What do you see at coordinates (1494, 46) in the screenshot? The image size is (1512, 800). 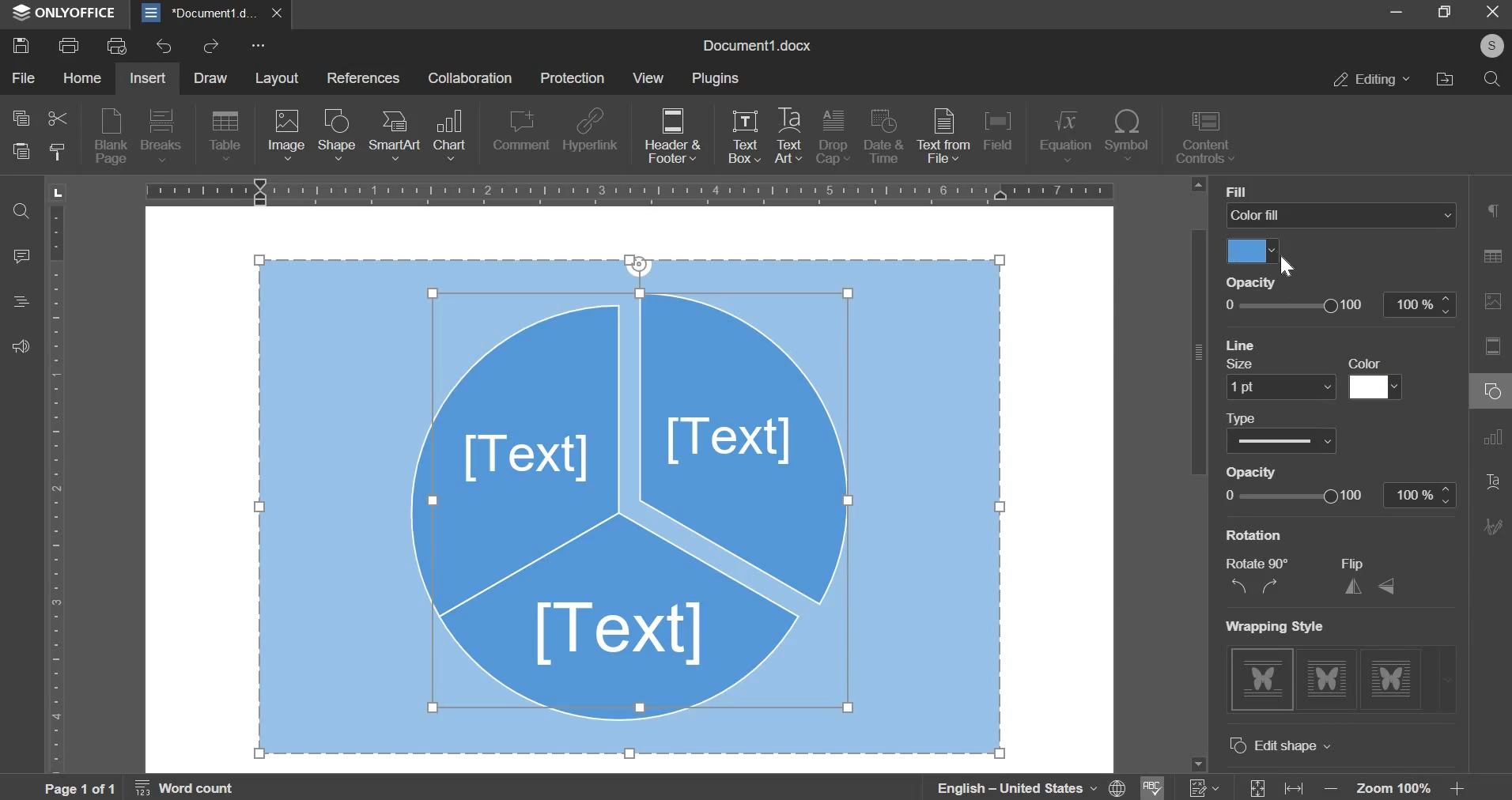 I see `` at bounding box center [1494, 46].